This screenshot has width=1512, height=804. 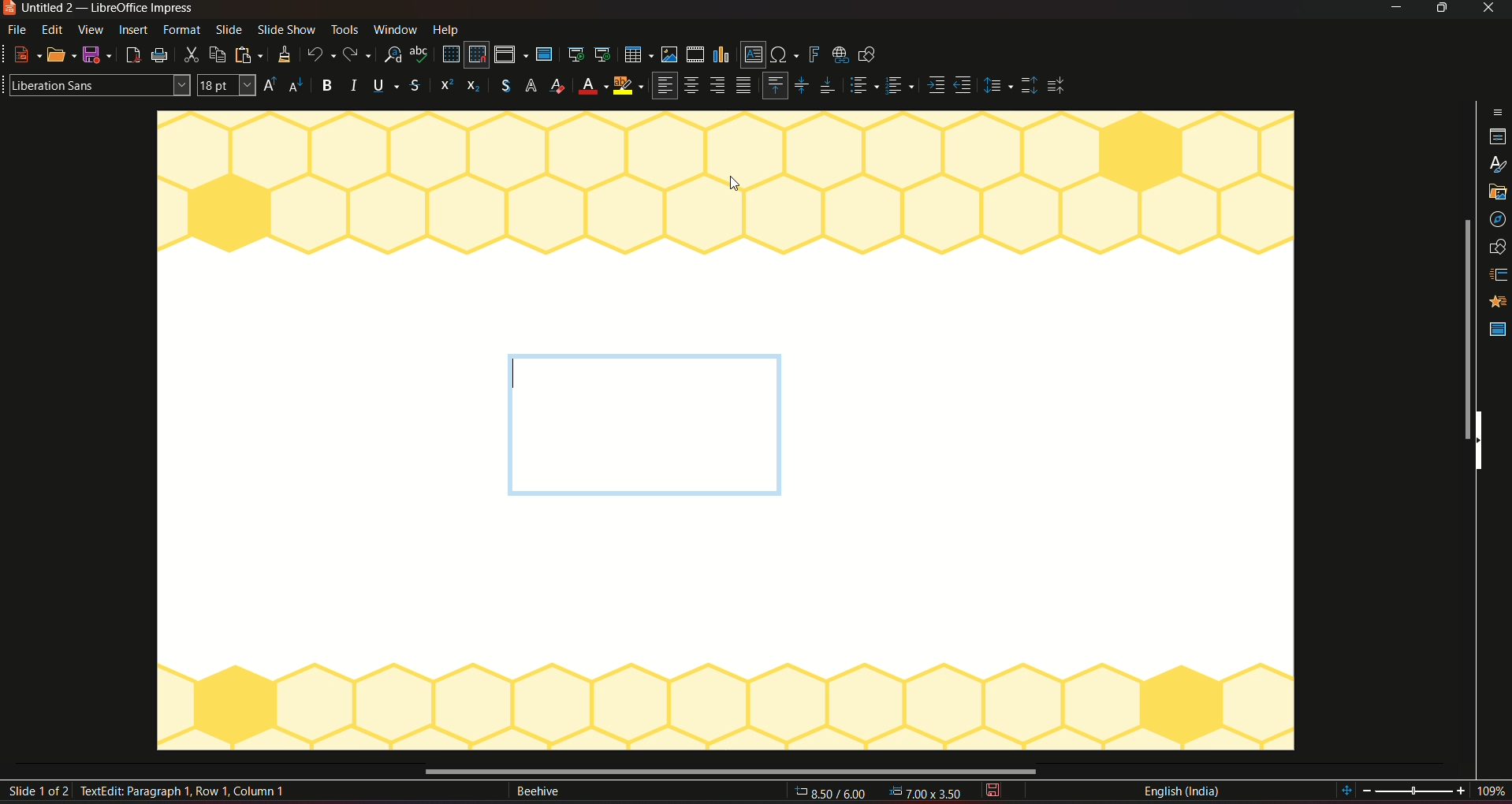 I want to click on middle spacing, so click(x=1060, y=86).